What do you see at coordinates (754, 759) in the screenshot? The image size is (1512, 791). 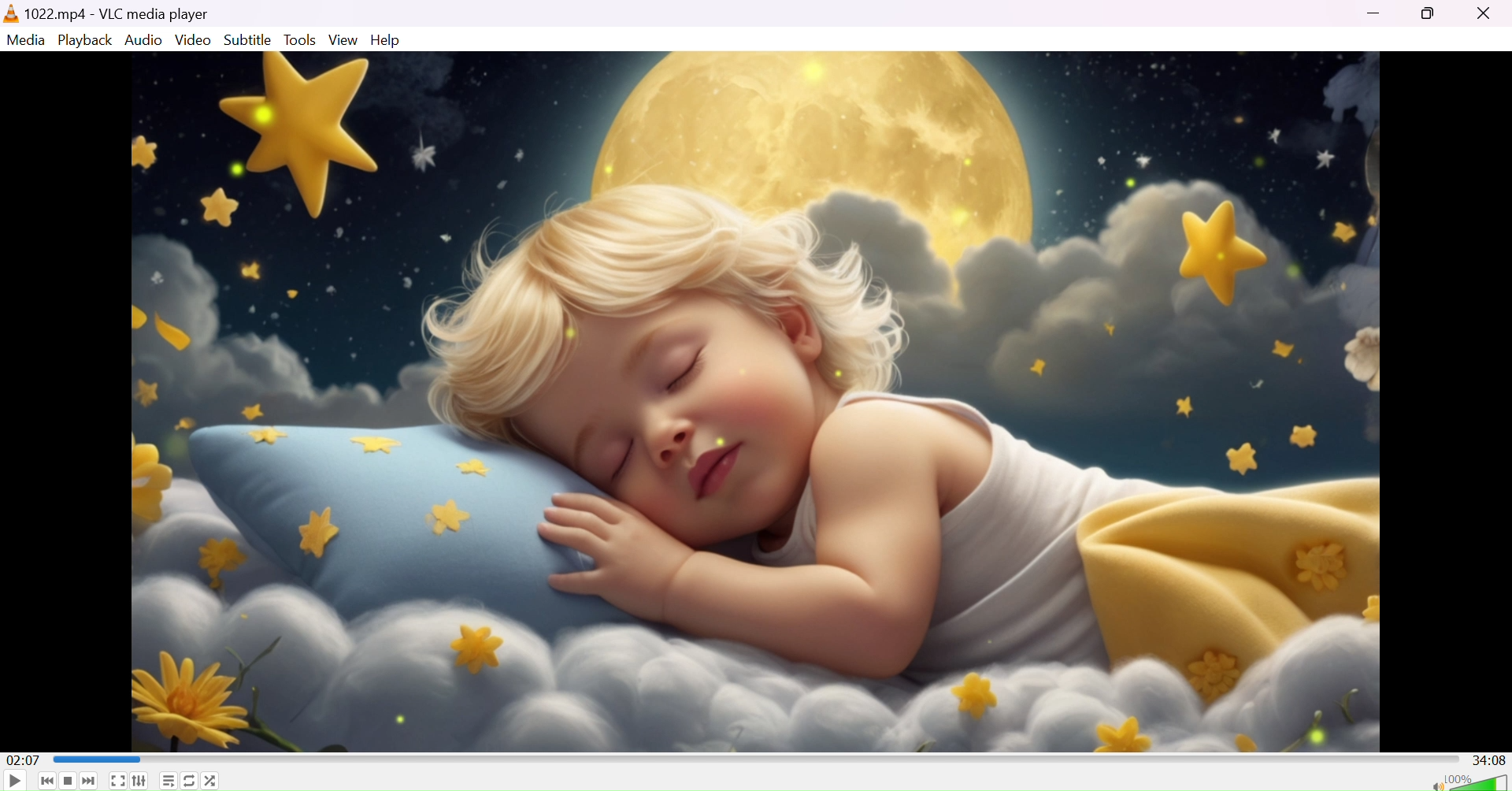 I see `Progress bar` at bounding box center [754, 759].